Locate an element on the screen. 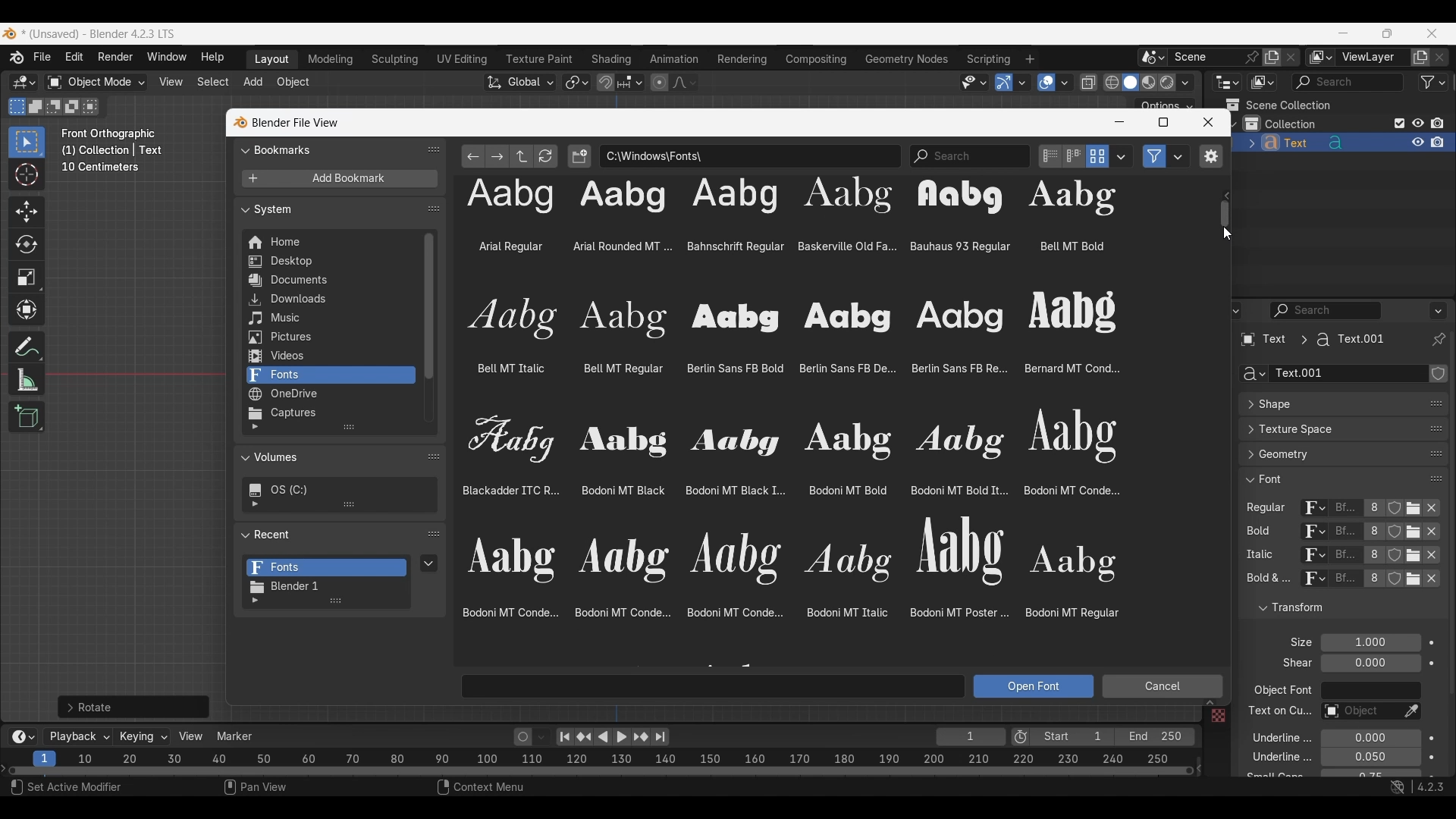  Scale is located at coordinates (27, 278).